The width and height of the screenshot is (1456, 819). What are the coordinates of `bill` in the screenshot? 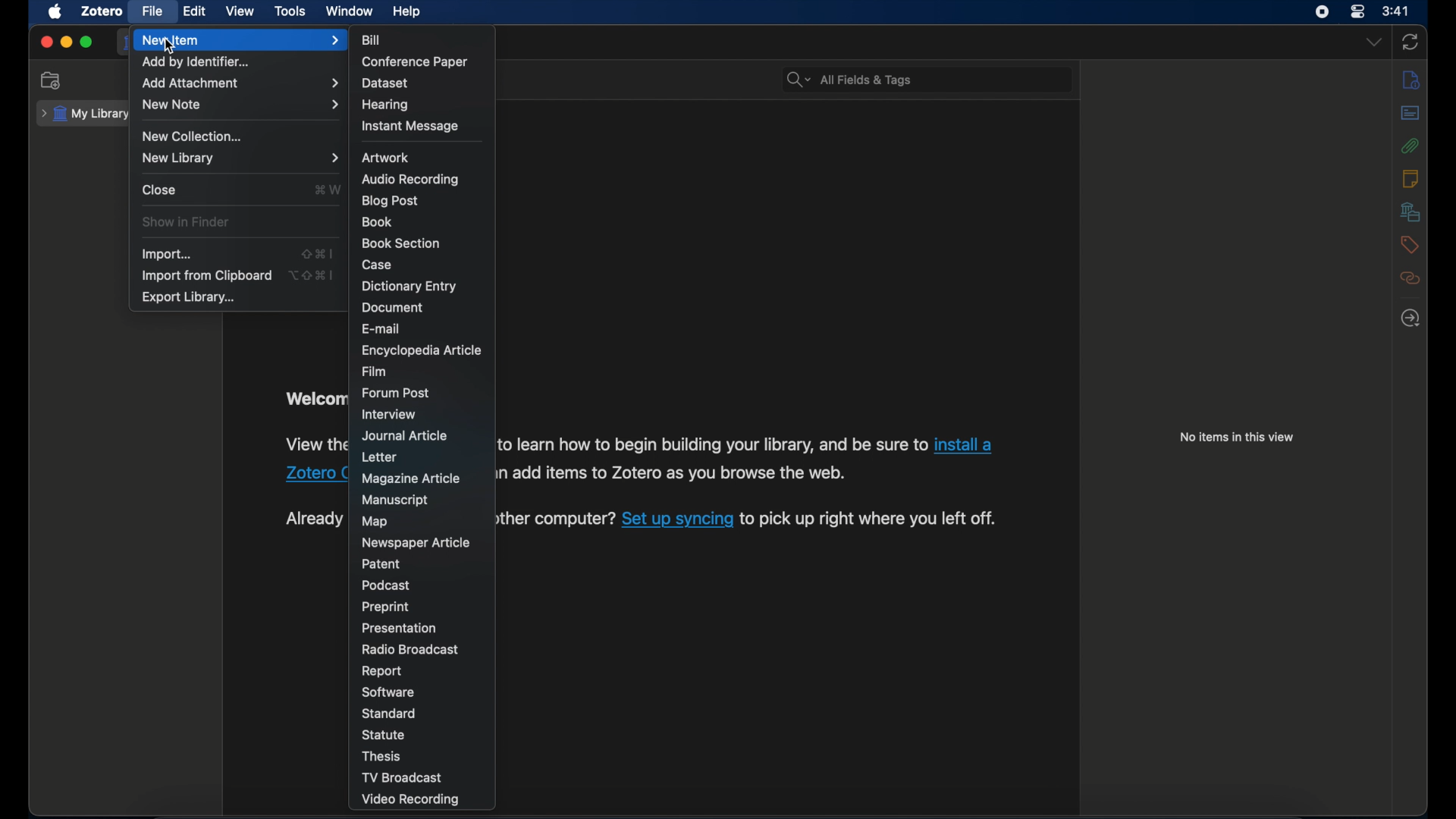 It's located at (373, 40).